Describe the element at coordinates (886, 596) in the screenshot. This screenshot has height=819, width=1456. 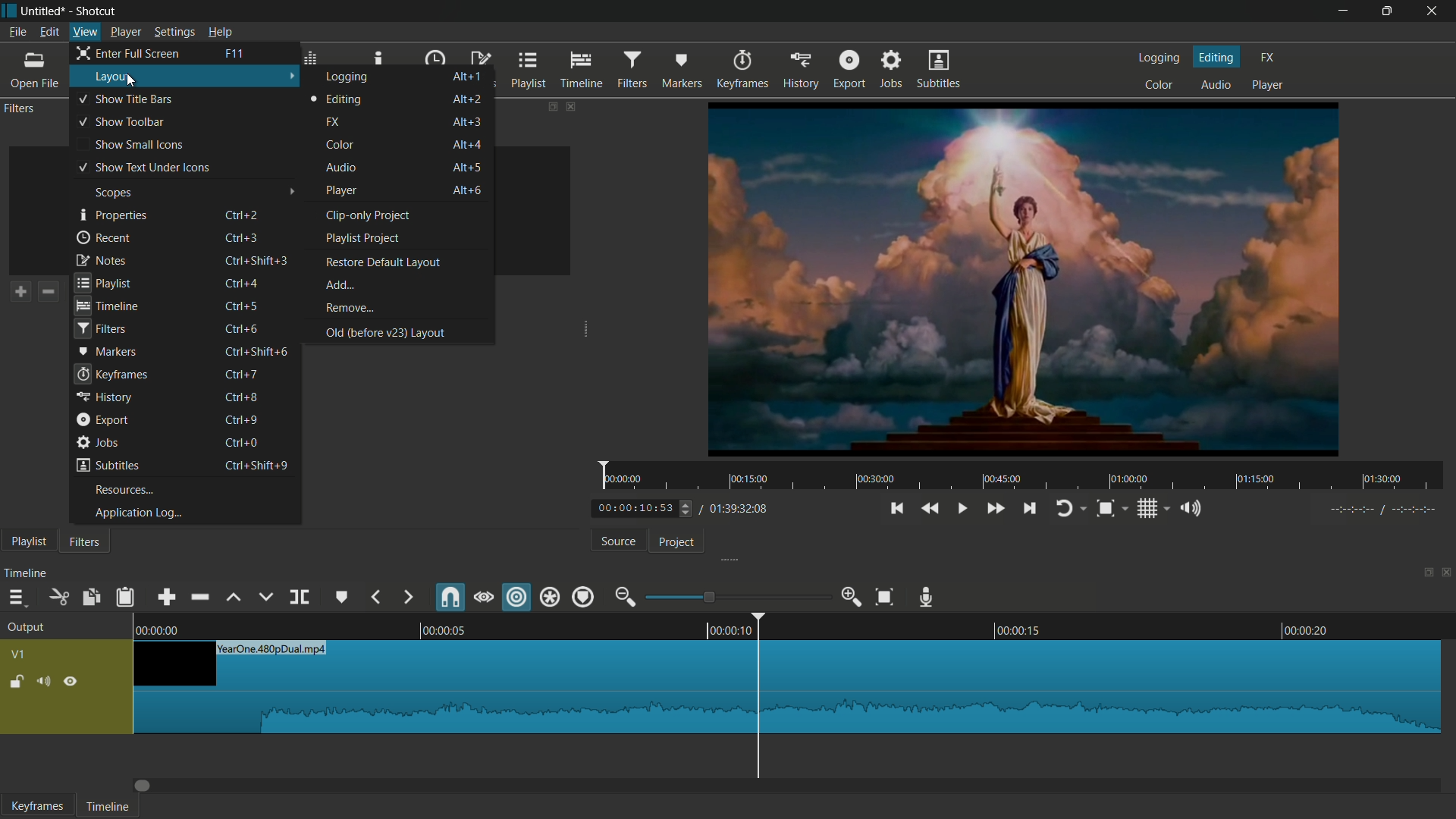
I see `zoom timeline to fit` at that location.